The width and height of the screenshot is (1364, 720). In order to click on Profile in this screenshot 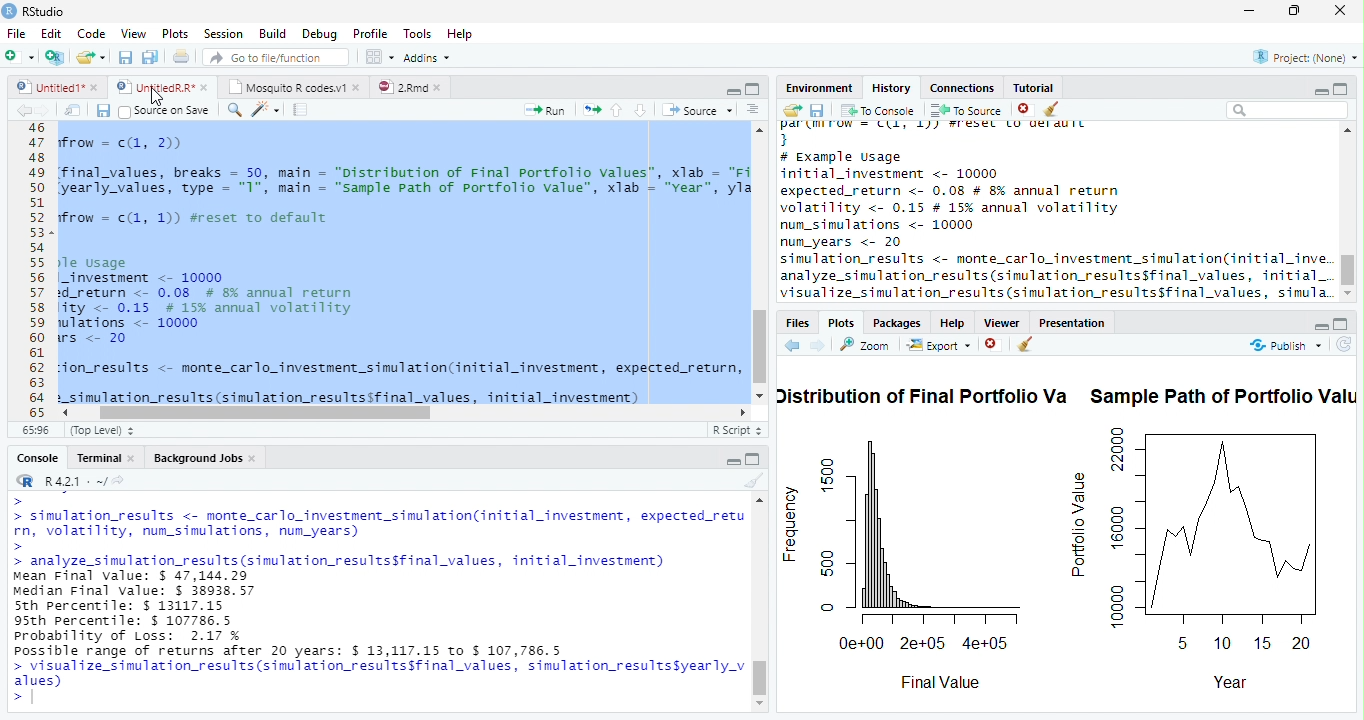, I will do `click(369, 33)`.